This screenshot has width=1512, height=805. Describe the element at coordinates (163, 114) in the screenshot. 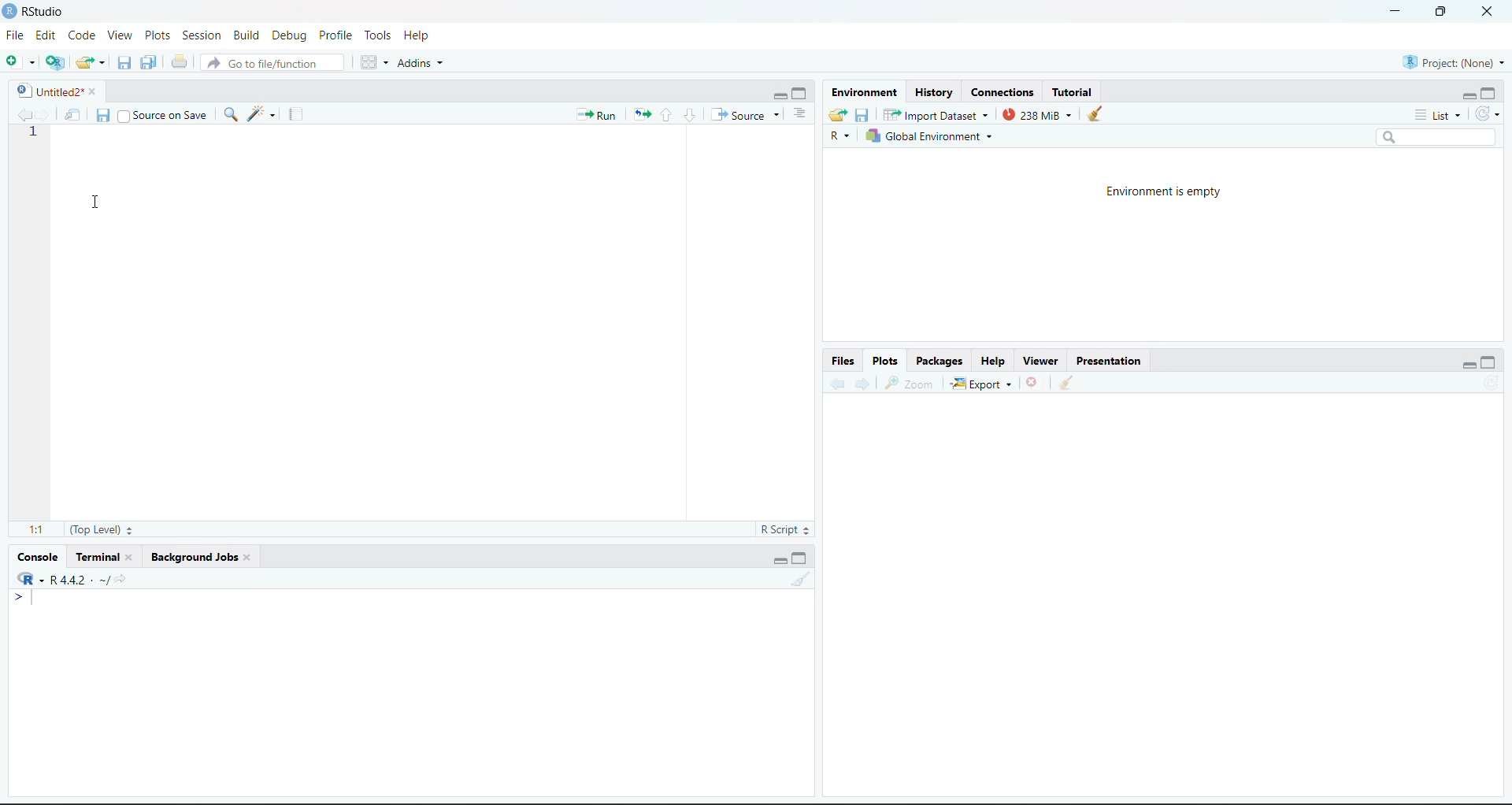

I see `Source on Save` at that location.